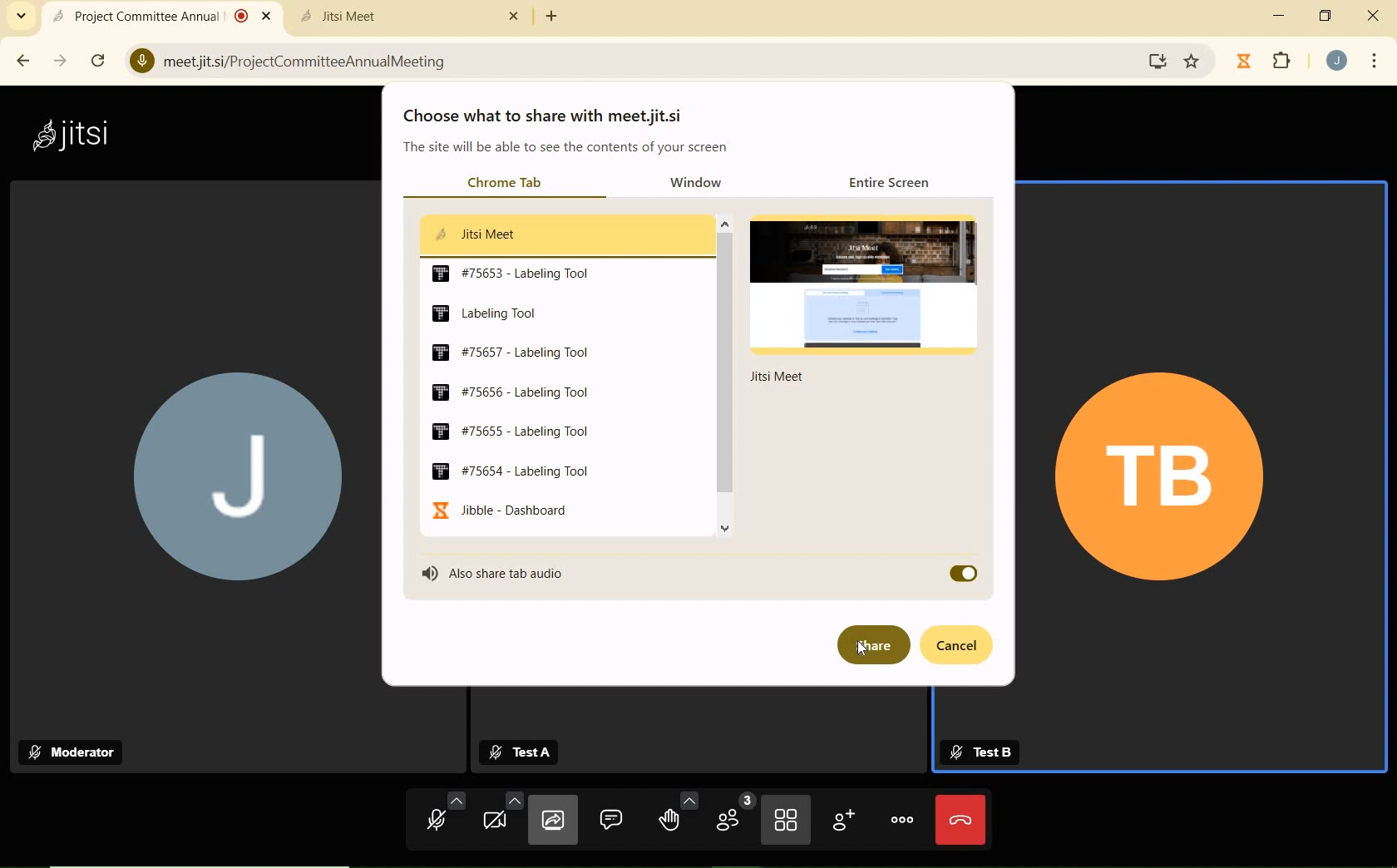 This screenshot has width=1397, height=868. I want to click on microphone, so click(445, 816).